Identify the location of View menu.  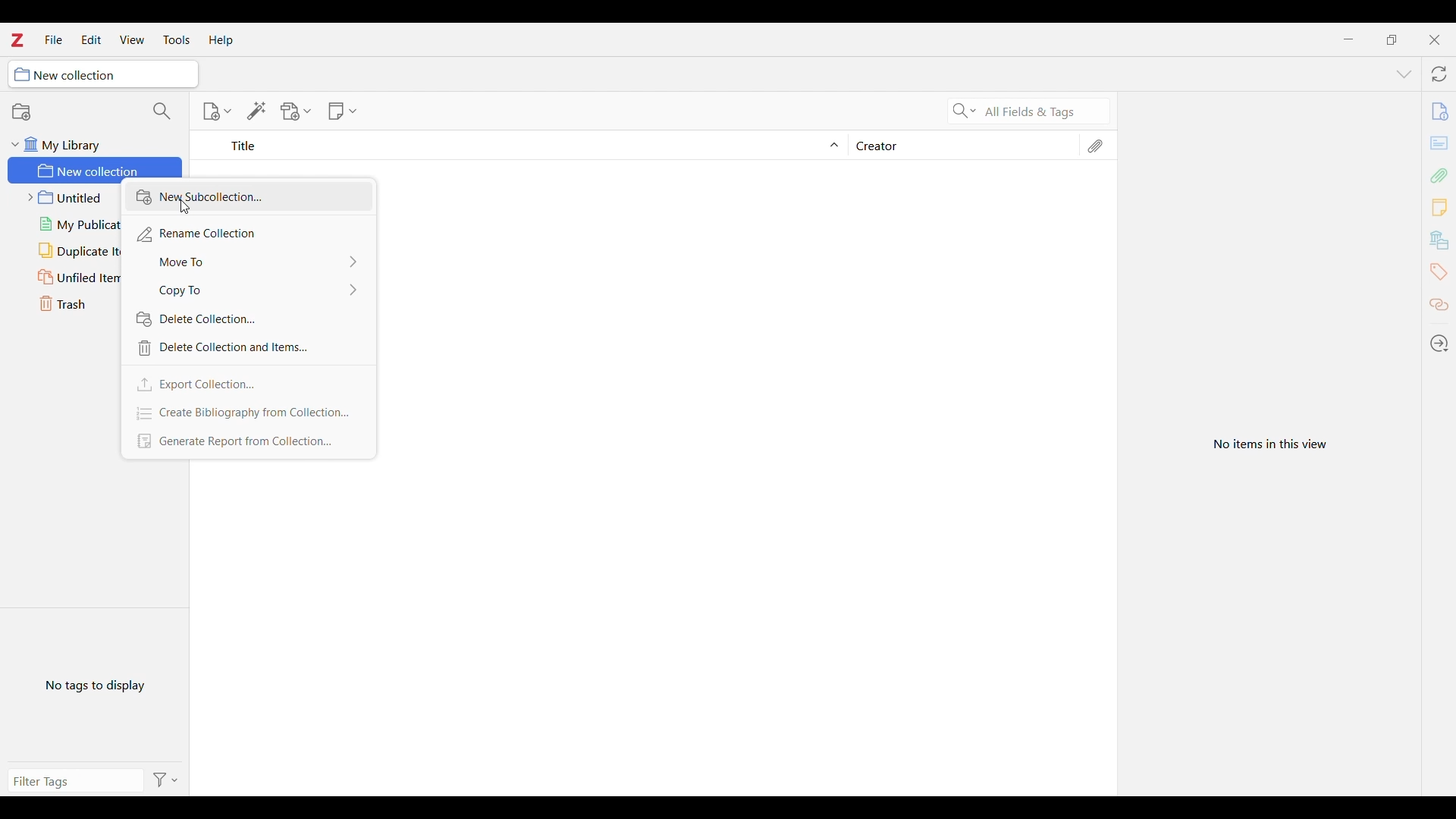
(133, 39).